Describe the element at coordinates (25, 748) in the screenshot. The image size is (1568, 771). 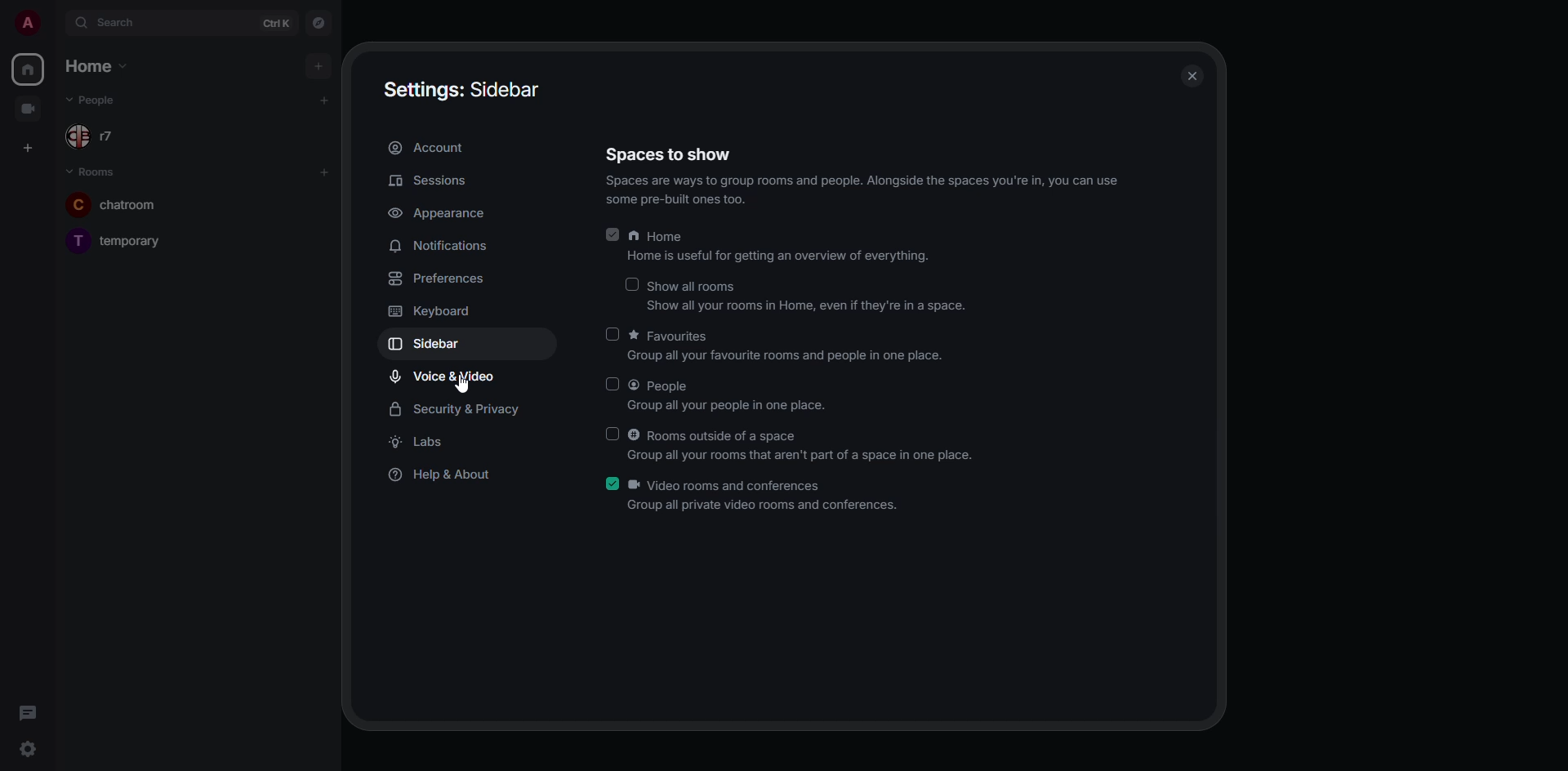
I see `quick settings` at that location.